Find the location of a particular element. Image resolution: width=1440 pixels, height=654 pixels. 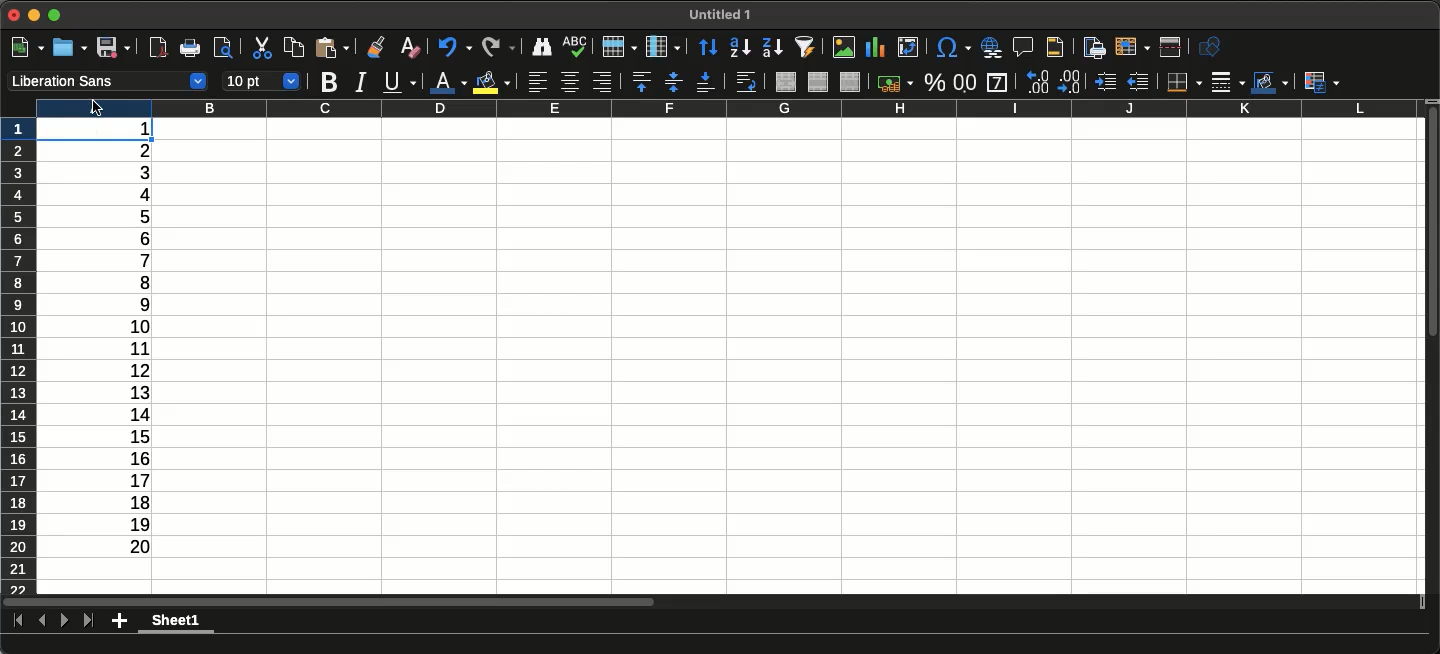

Clone is located at coordinates (375, 46).